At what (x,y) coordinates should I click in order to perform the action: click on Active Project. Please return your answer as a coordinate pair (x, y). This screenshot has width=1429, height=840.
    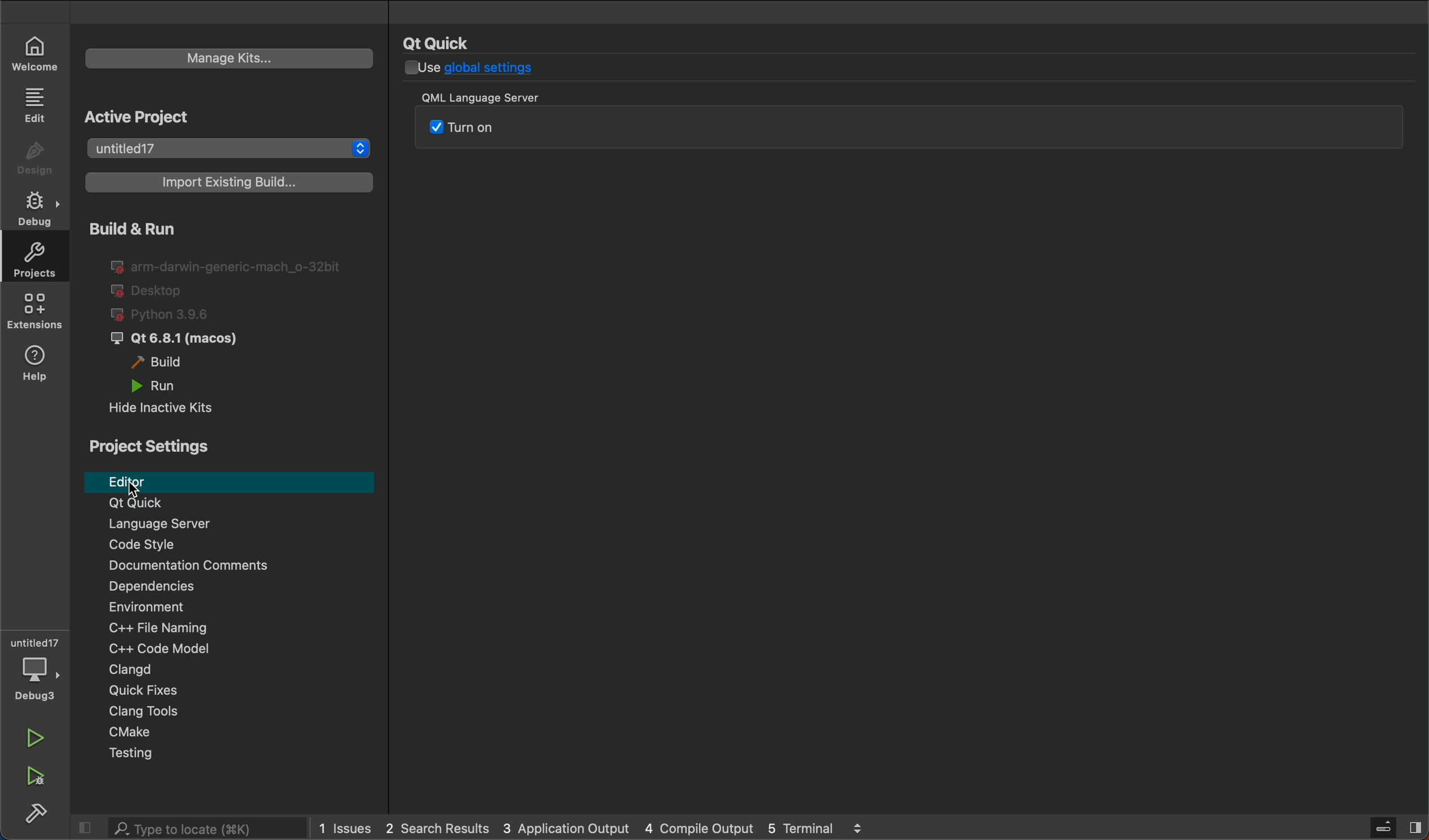
    Looking at the image, I should click on (145, 117).